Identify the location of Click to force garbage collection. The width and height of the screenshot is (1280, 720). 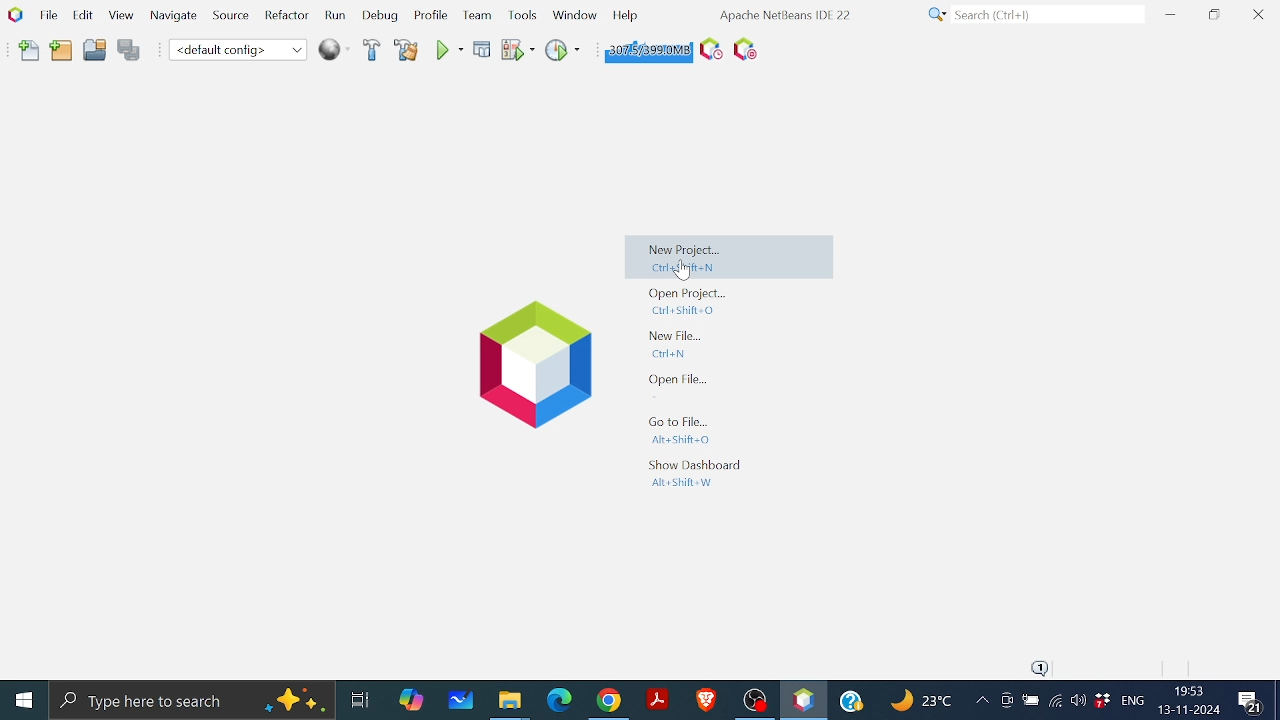
(646, 49).